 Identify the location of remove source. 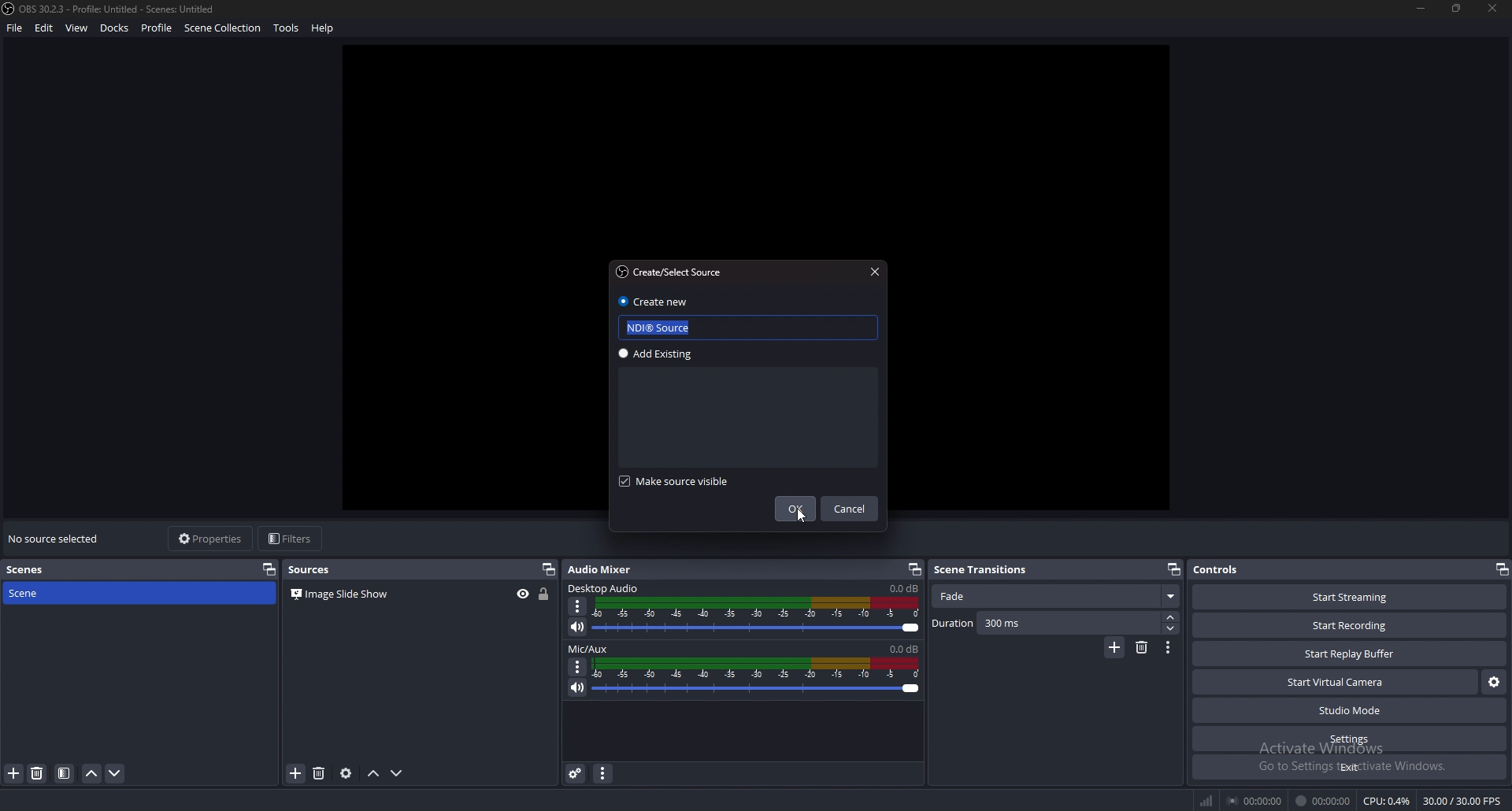
(38, 773).